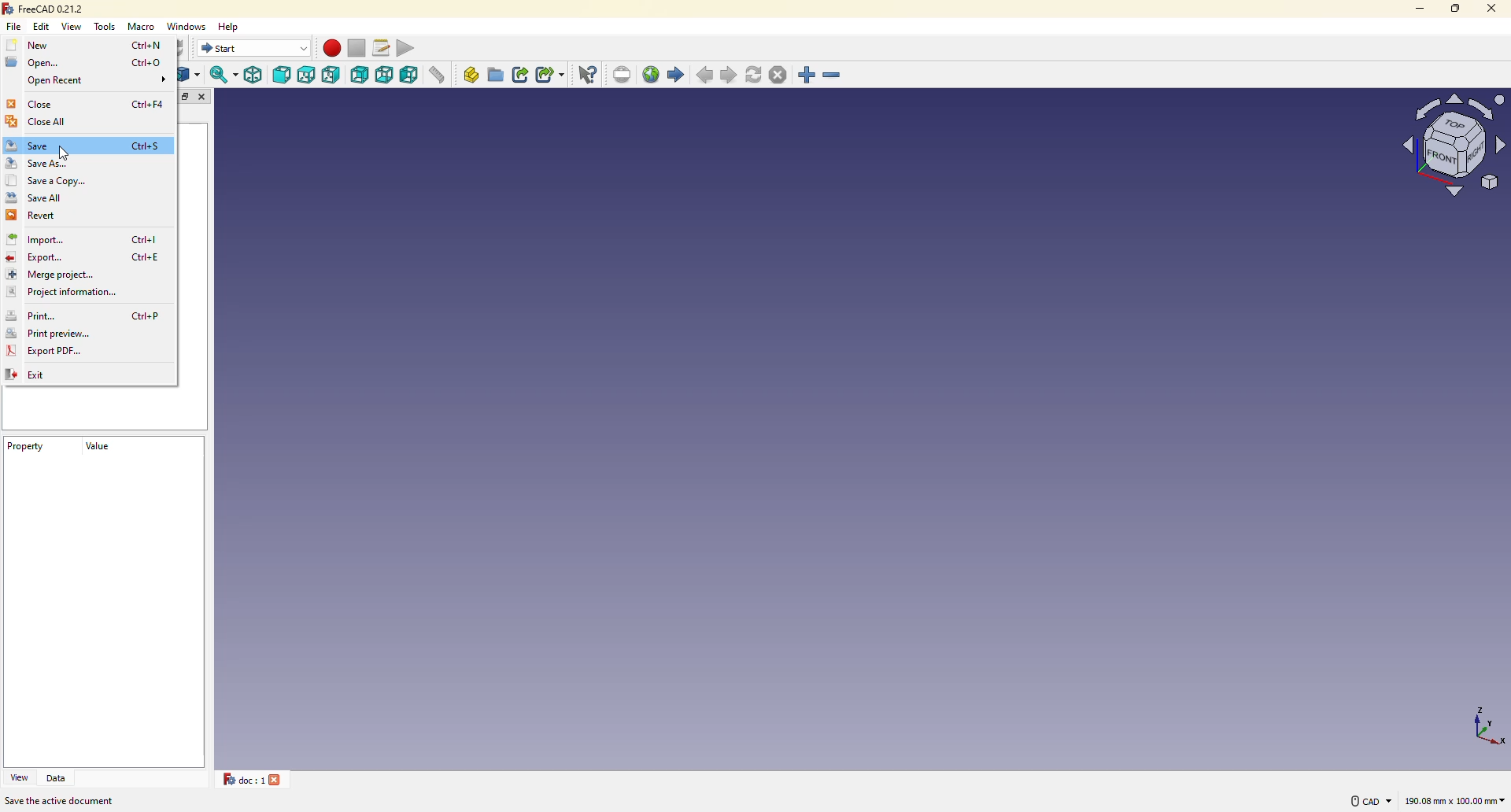  What do you see at coordinates (39, 122) in the screenshot?
I see `close all` at bounding box center [39, 122].